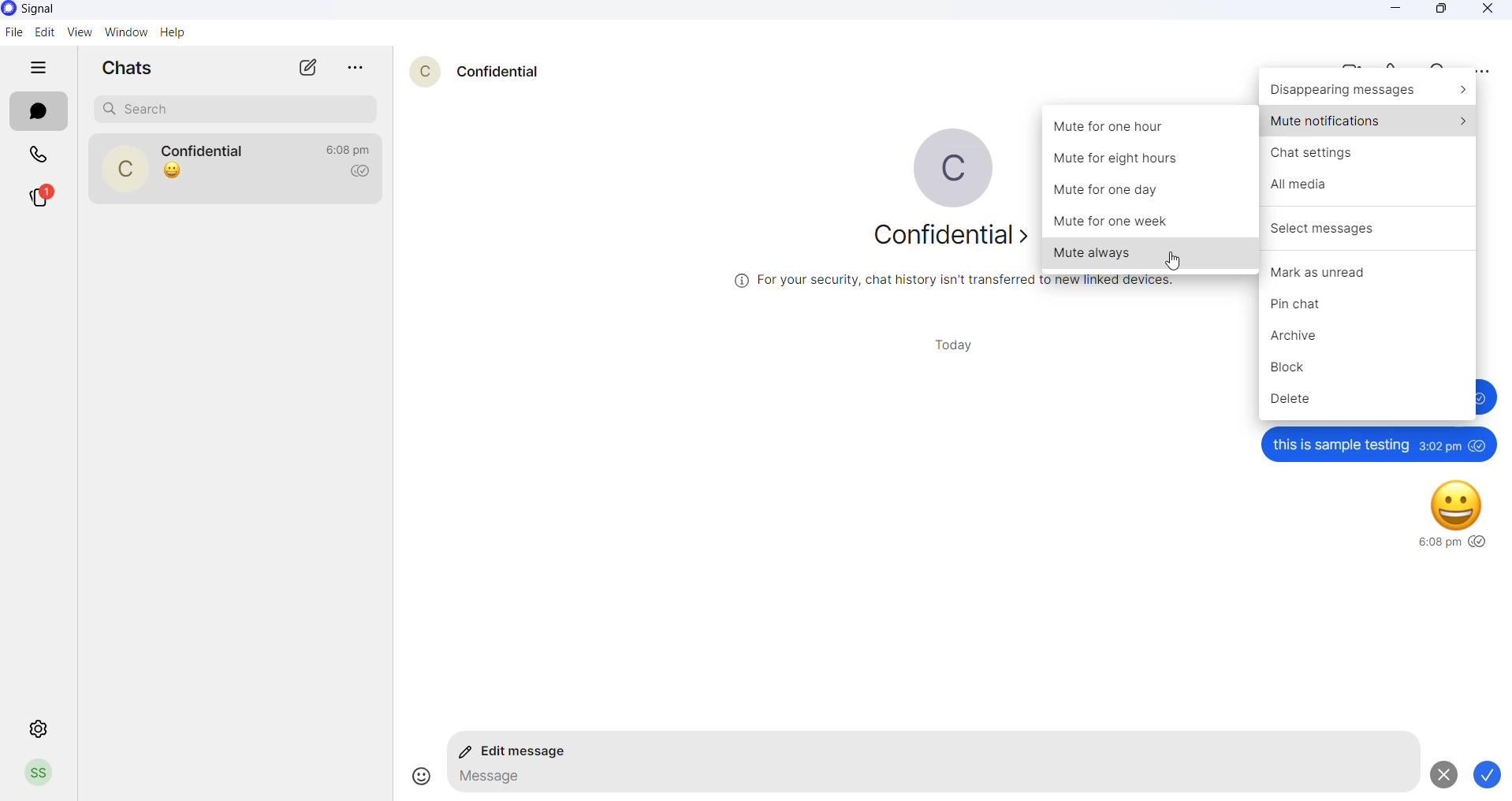 The image size is (1512, 801). Describe the element at coordinates (1492, 776) in the screenshot. I see `ok` at that location.